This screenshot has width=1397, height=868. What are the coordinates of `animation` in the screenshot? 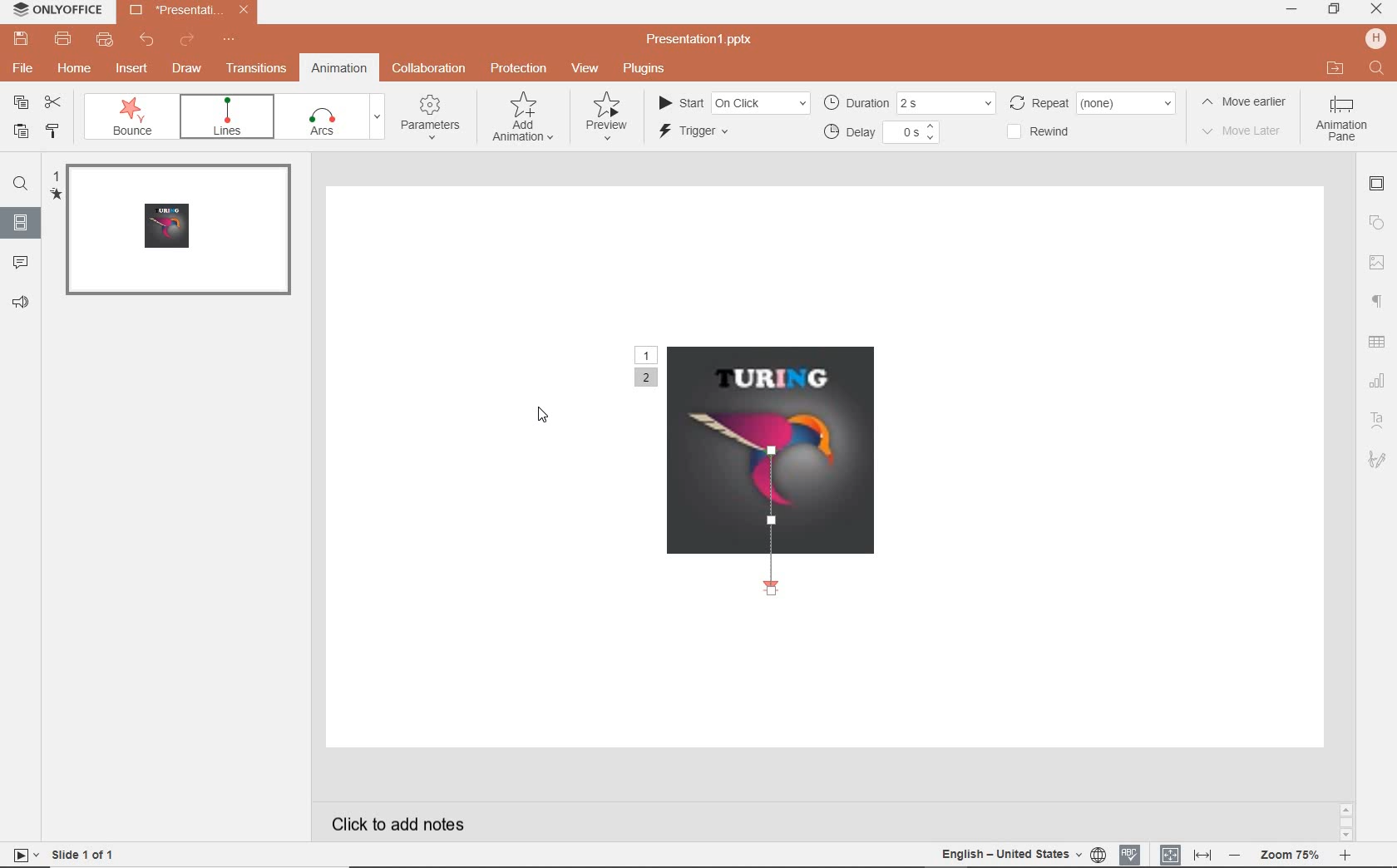 It's located at (338, 70).